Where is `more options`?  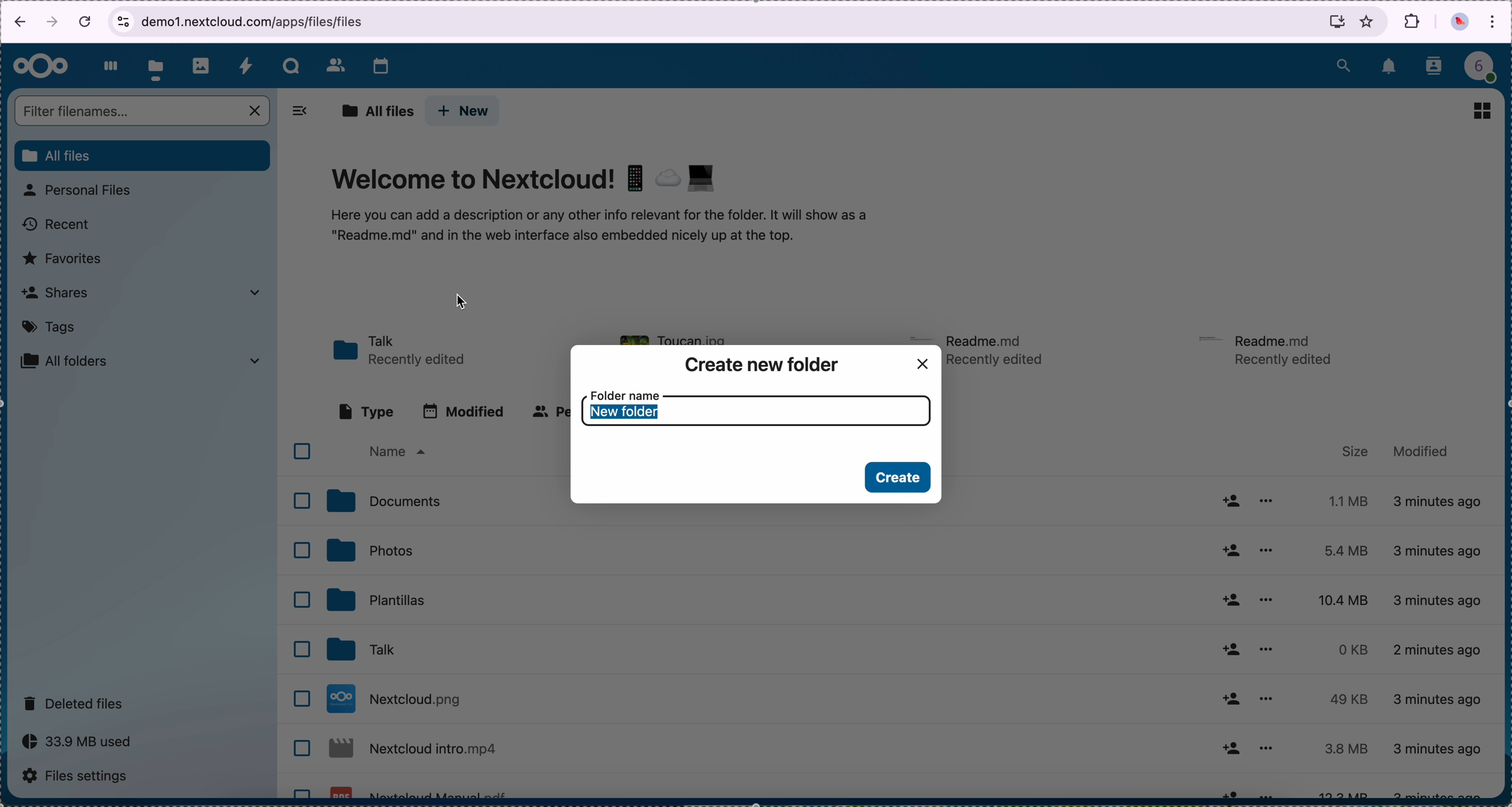 more options is located at coordinates (1269, 501).